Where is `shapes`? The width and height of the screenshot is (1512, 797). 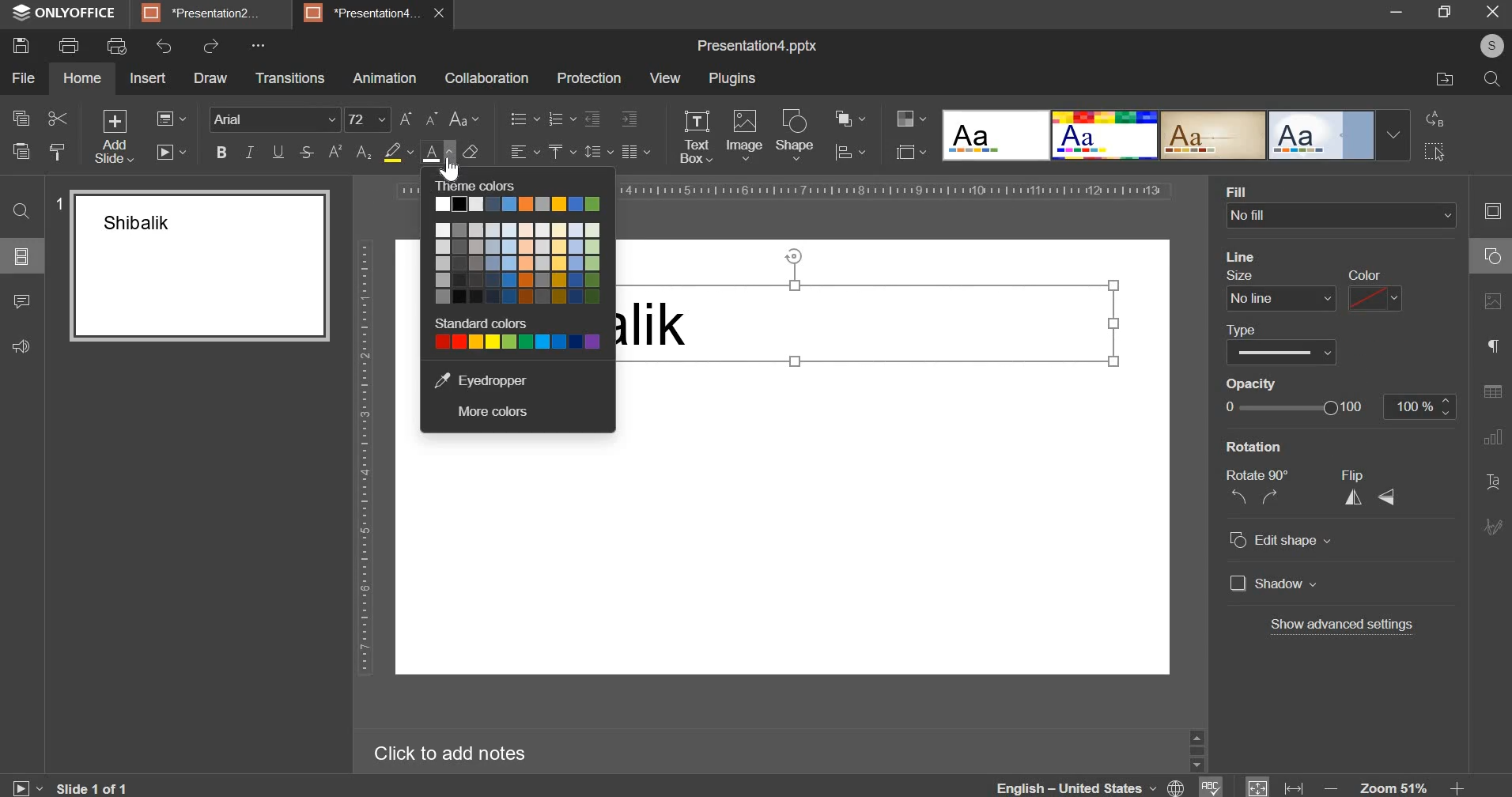 shapes is located at coordinates (1487, 260).